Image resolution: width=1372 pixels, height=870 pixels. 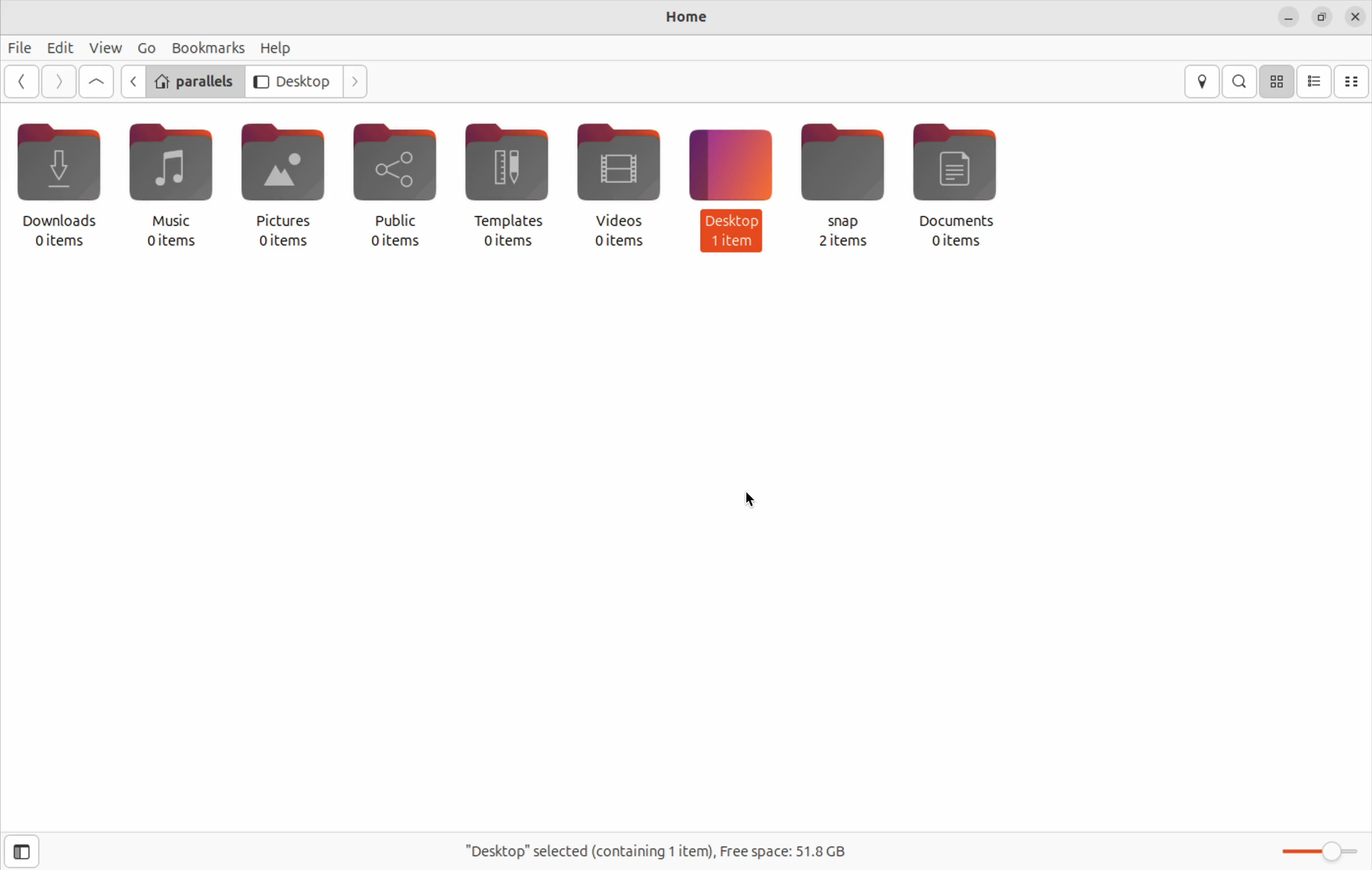 I want to click on desktop 1 item, so click(x=730, y=190).